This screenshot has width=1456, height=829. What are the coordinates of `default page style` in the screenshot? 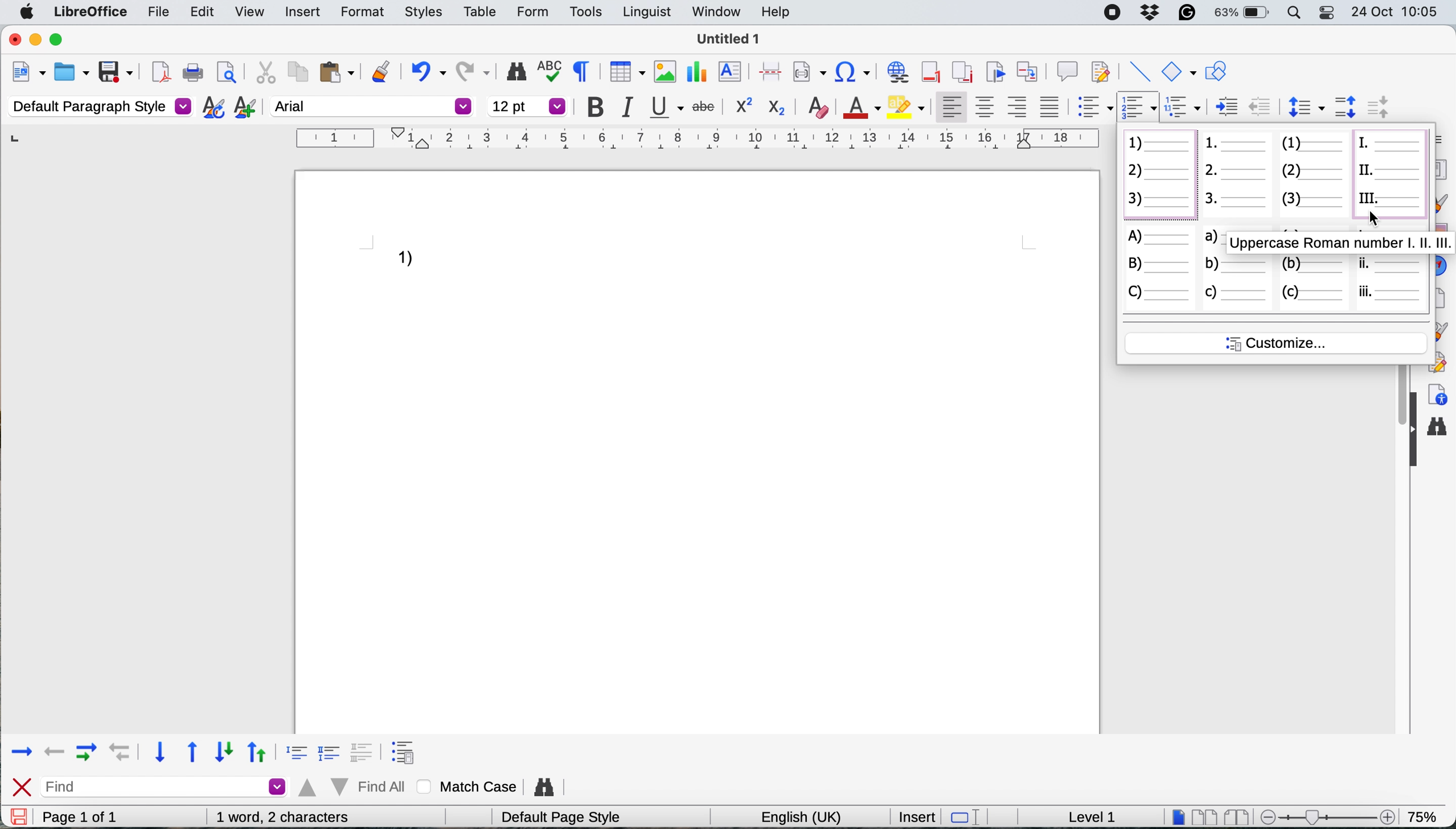 It's located at (567, 818).